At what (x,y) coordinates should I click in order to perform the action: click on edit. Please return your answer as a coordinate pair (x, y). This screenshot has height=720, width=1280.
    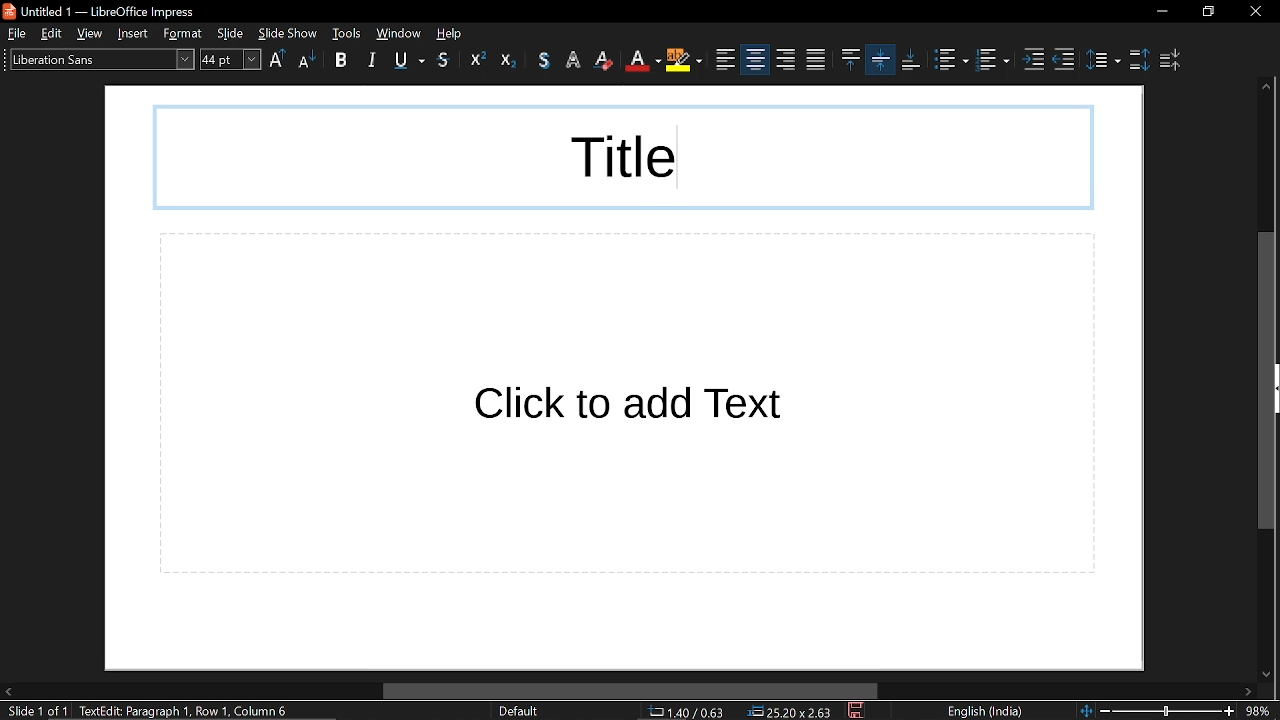
    Looking at the image, I should click on (54, 34).